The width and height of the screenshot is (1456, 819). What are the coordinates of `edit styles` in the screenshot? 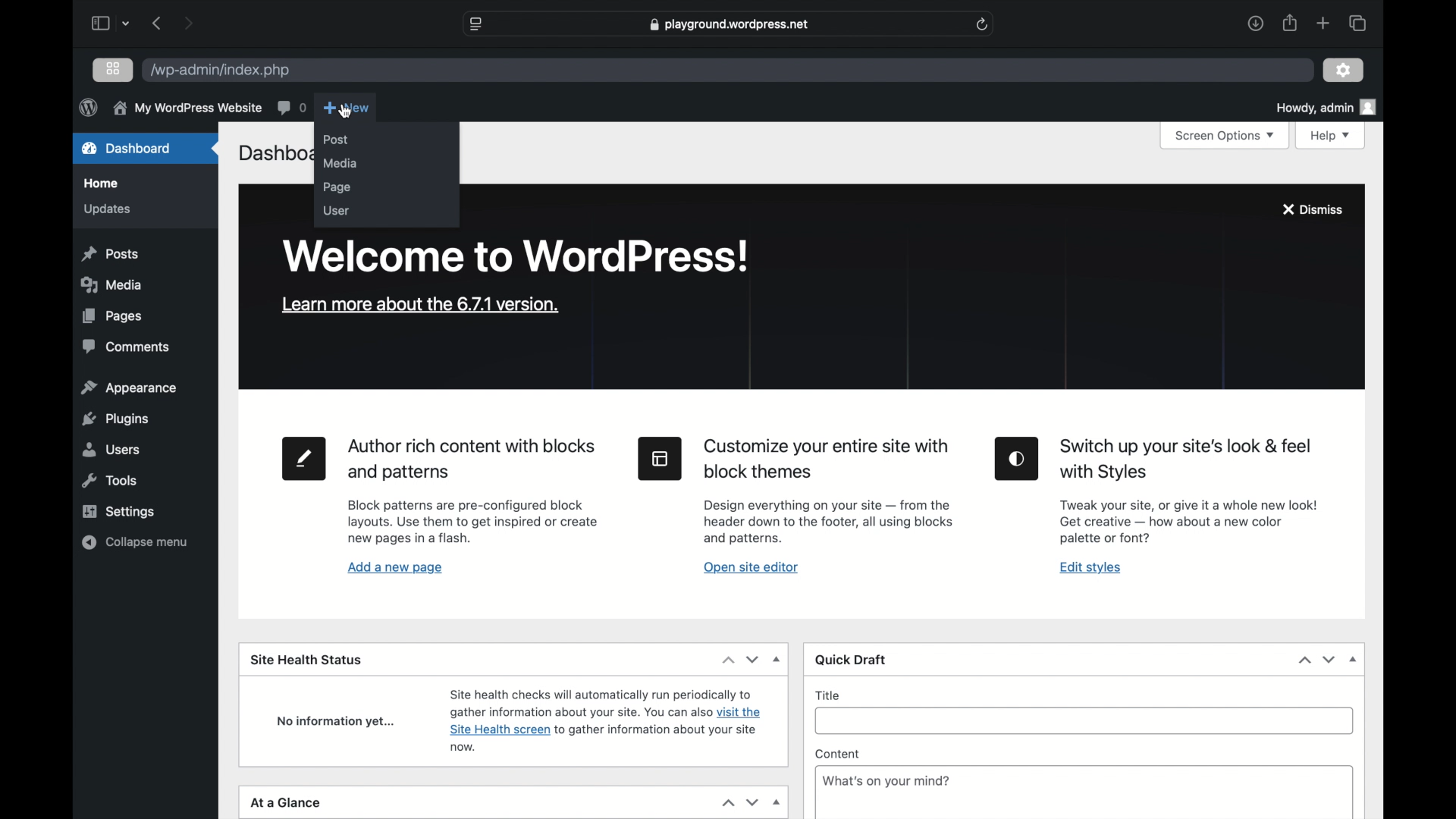 It's located at (1016, 458).